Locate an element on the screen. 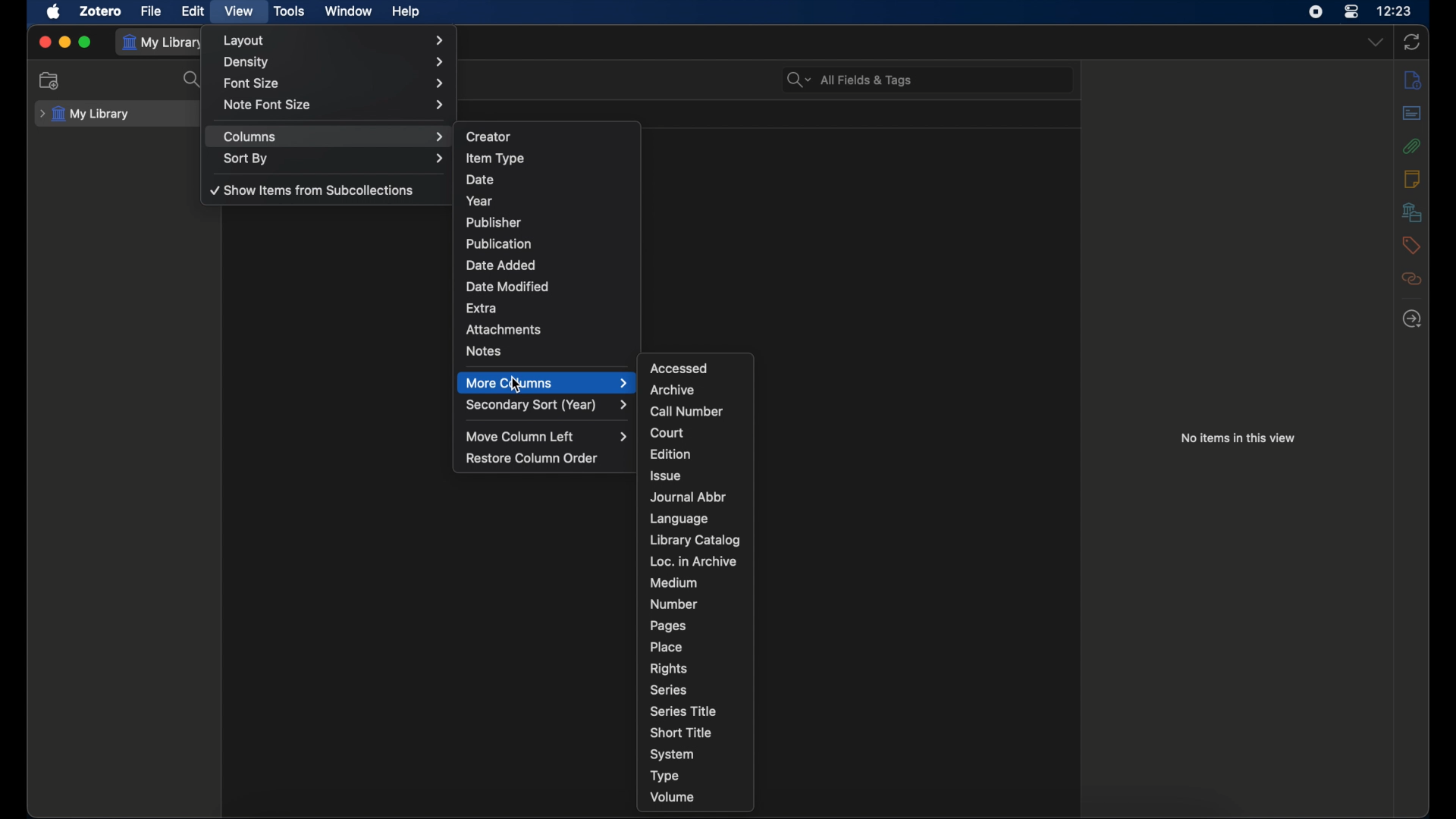  year is located at coordinates (481, 201).